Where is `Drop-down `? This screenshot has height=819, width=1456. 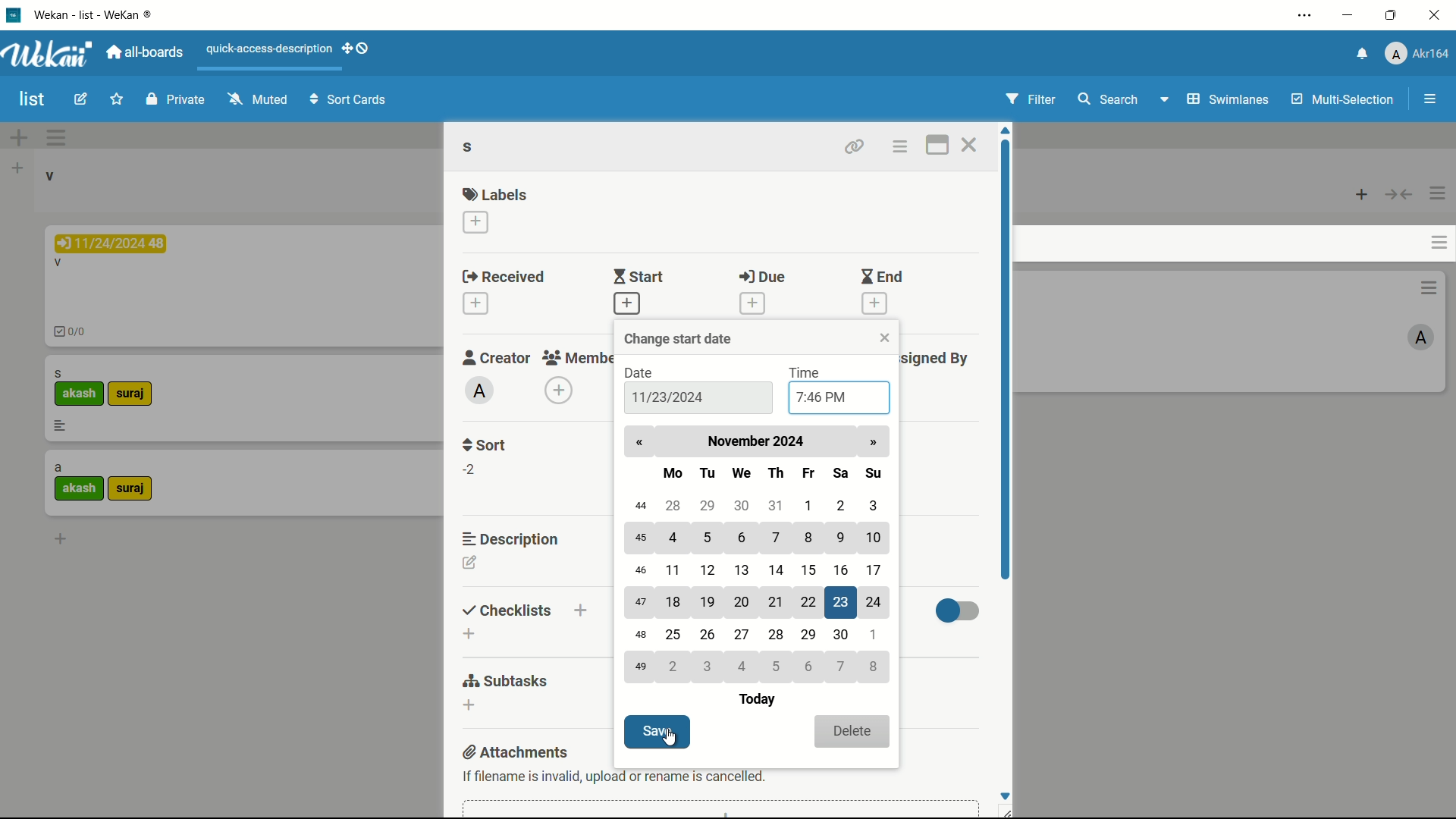 Drop-down  is located at coordinates (1166, 99).